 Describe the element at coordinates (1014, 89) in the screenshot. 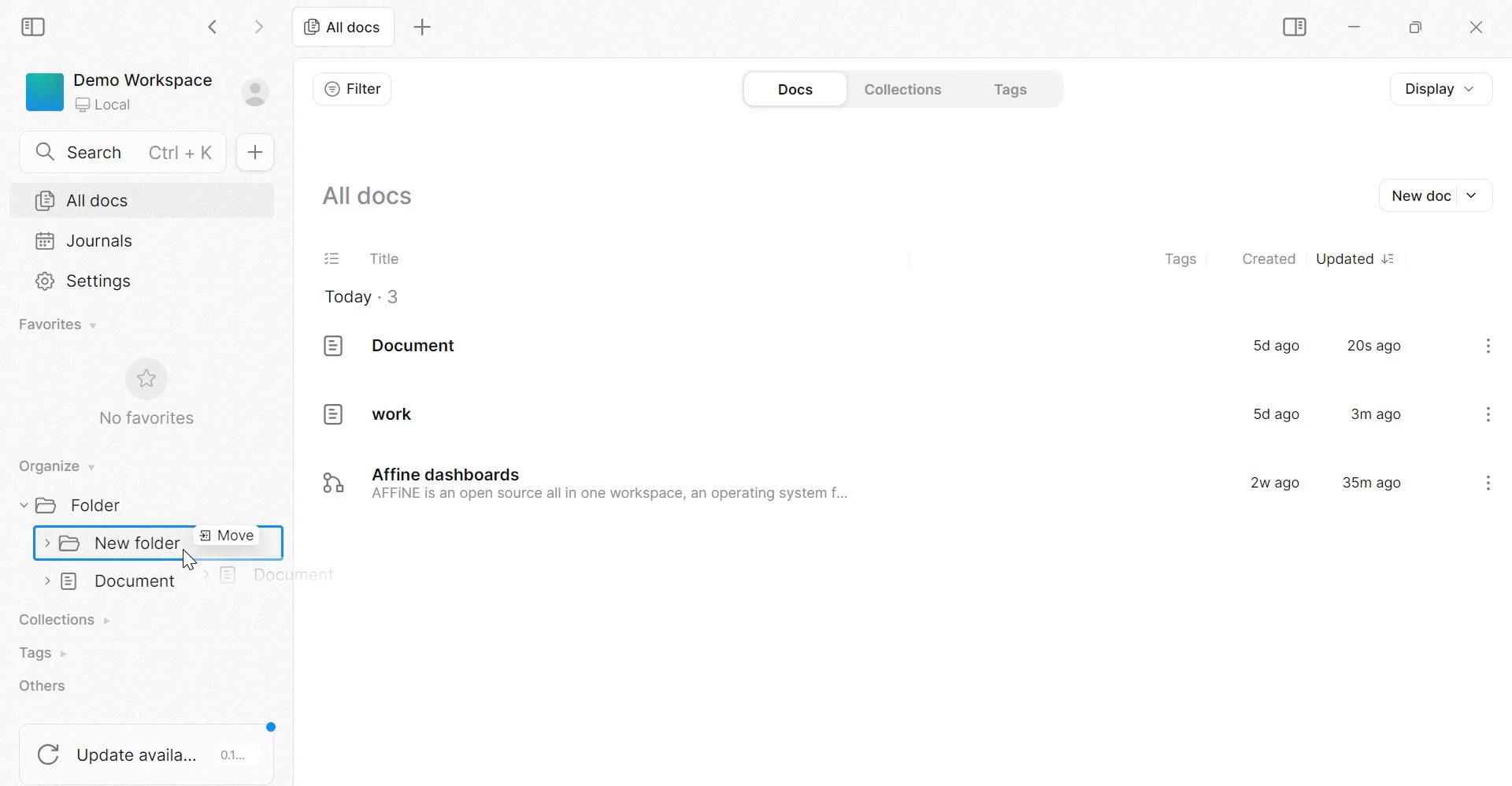

I see `Tags` at that location.